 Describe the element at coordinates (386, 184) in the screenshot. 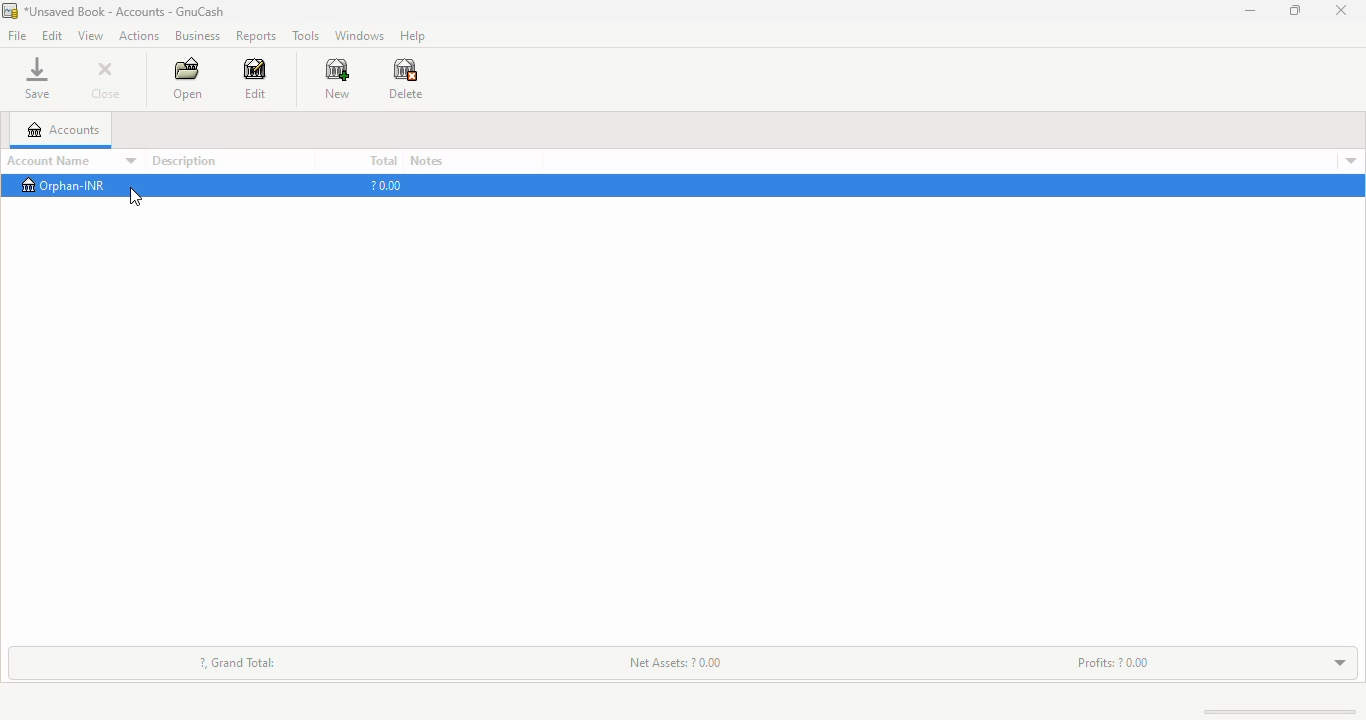

I see `?0.00` at that location.